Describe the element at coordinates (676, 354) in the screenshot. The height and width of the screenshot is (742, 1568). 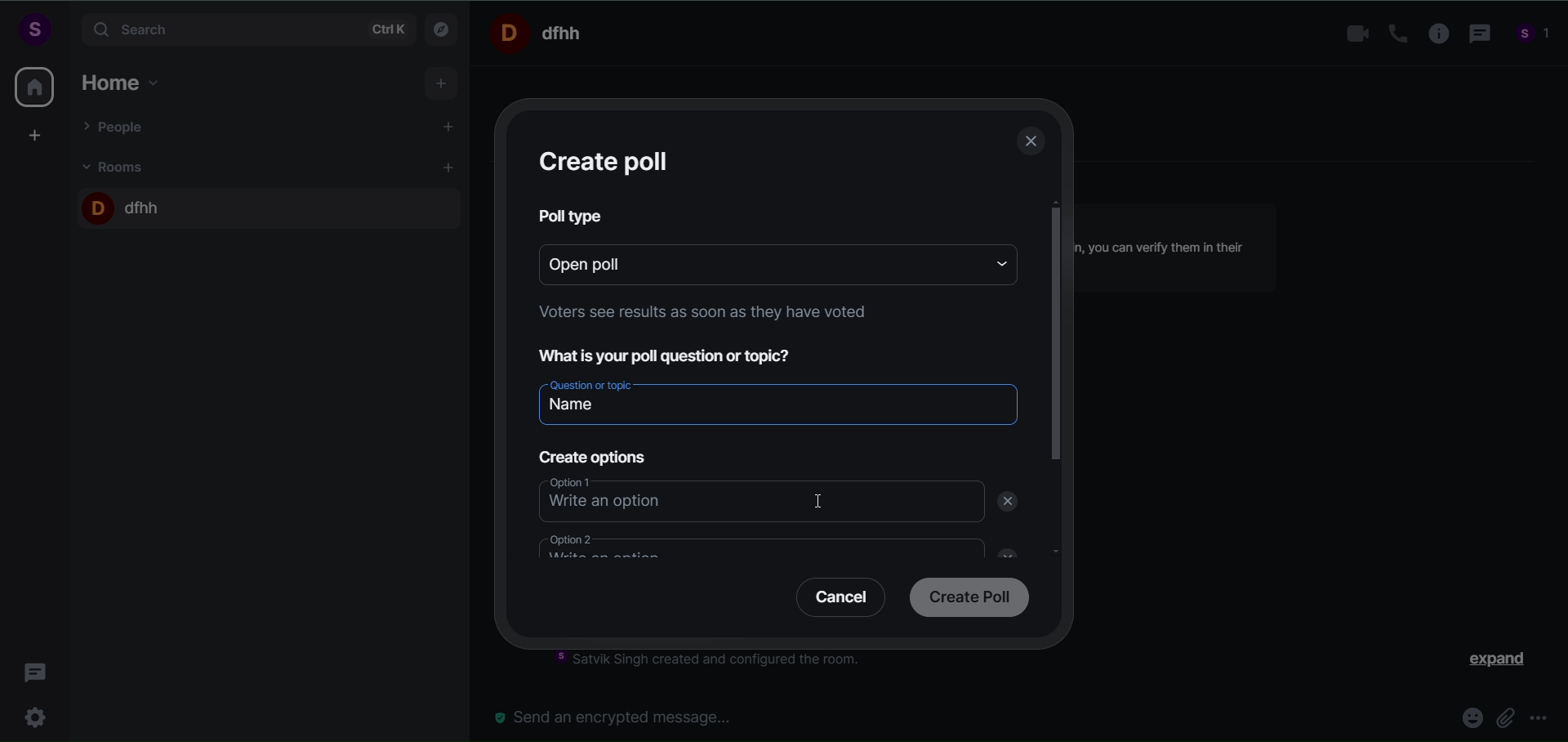
I see `question` at that location.